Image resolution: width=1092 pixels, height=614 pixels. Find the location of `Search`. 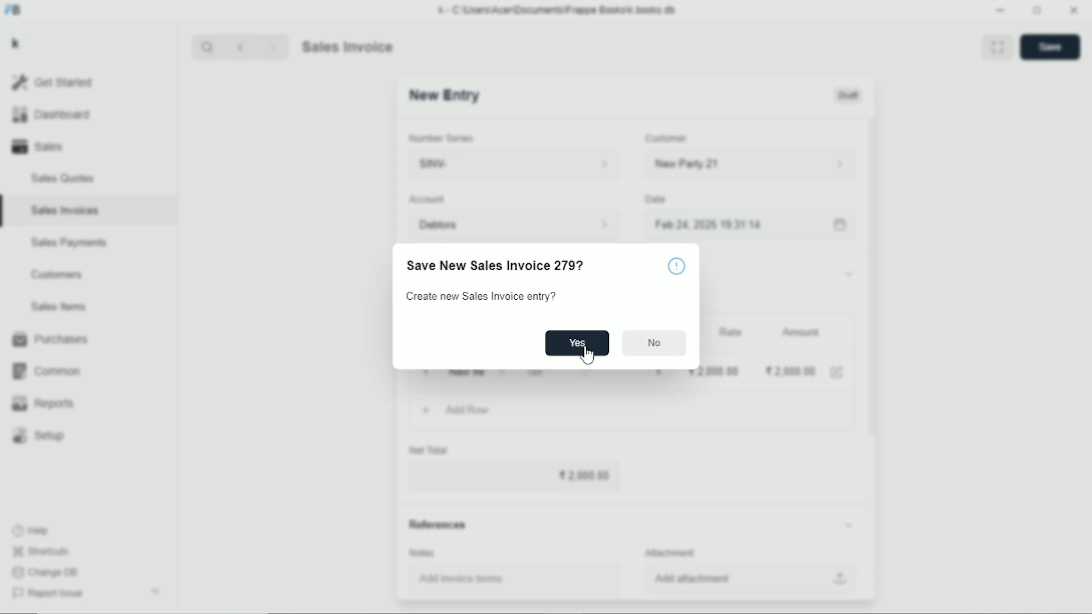

Search is located at coordinates (208, 47).